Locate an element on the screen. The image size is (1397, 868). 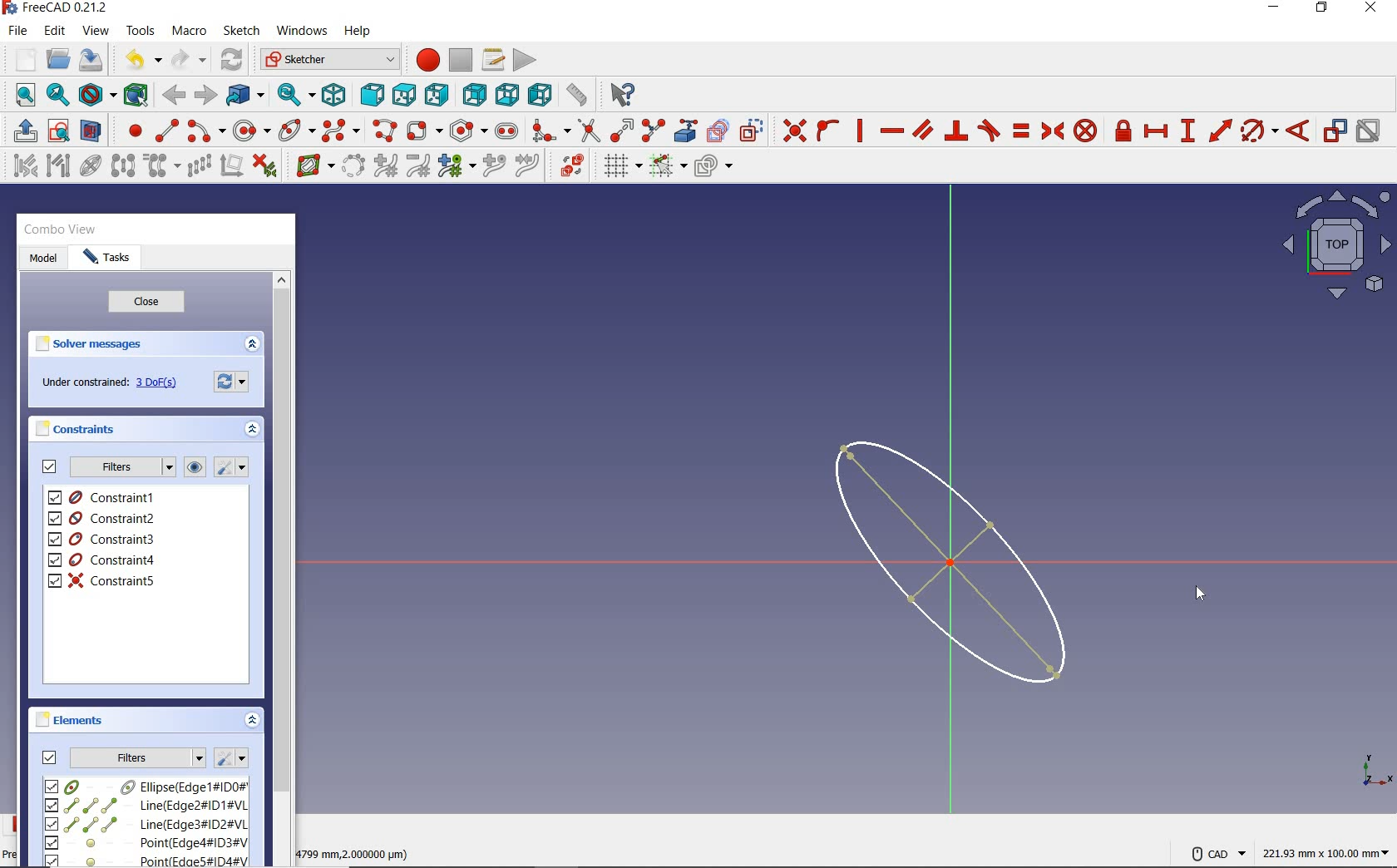
constraint1 is located at coordinates (107, 497).